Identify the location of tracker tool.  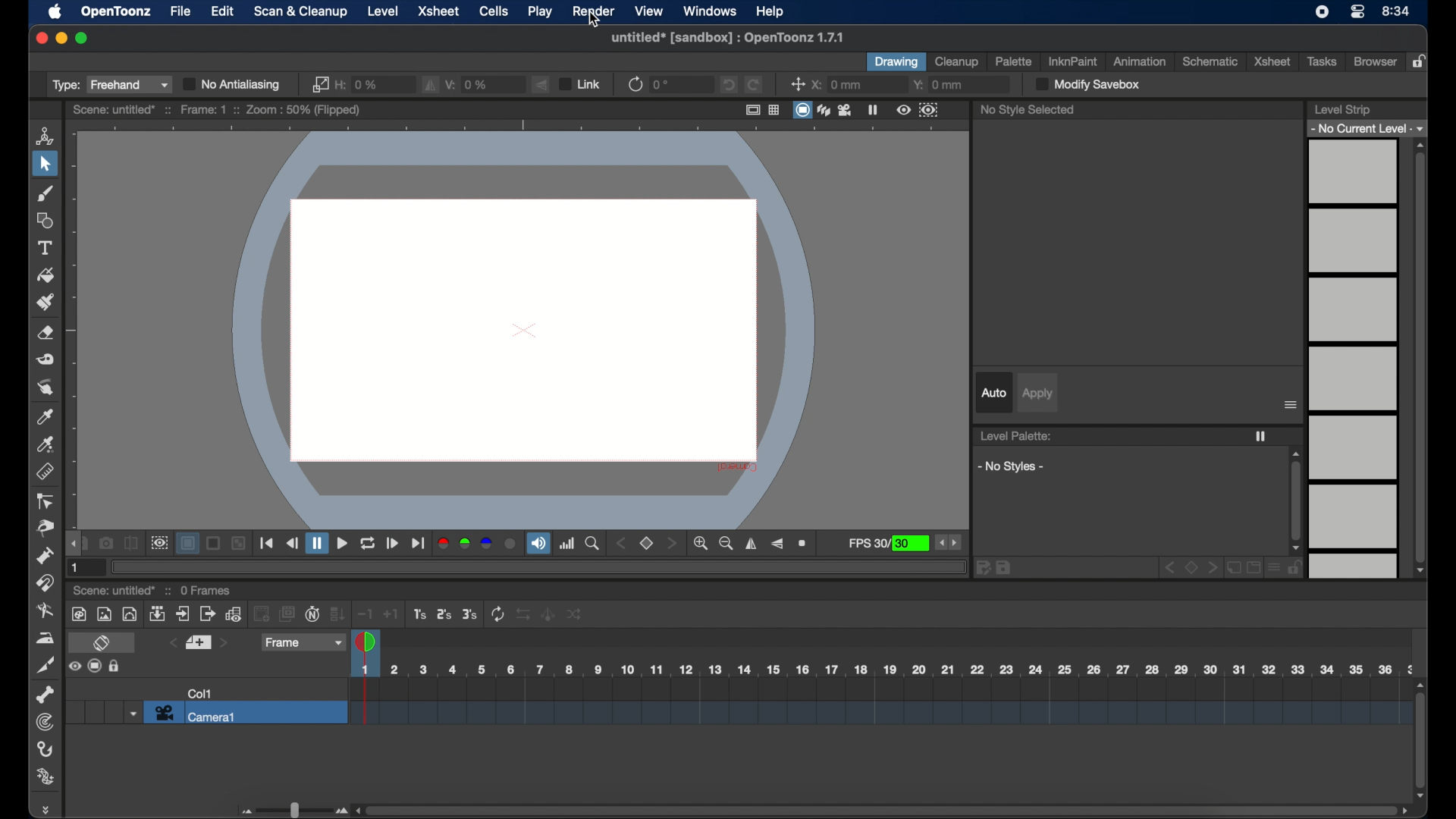
(44, 722).